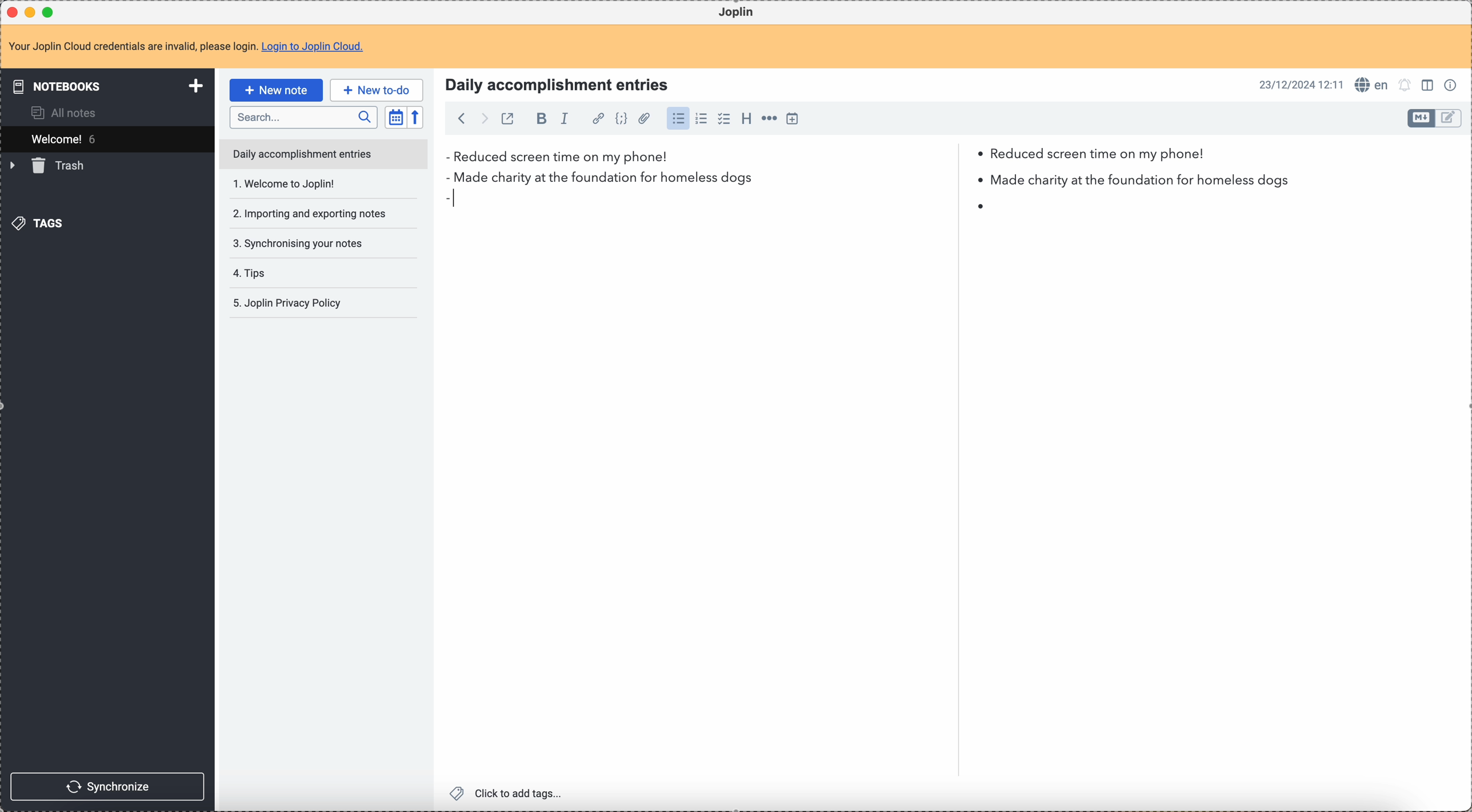 The image size is (1472, 812). I want to click on italic, so click(570, 119).